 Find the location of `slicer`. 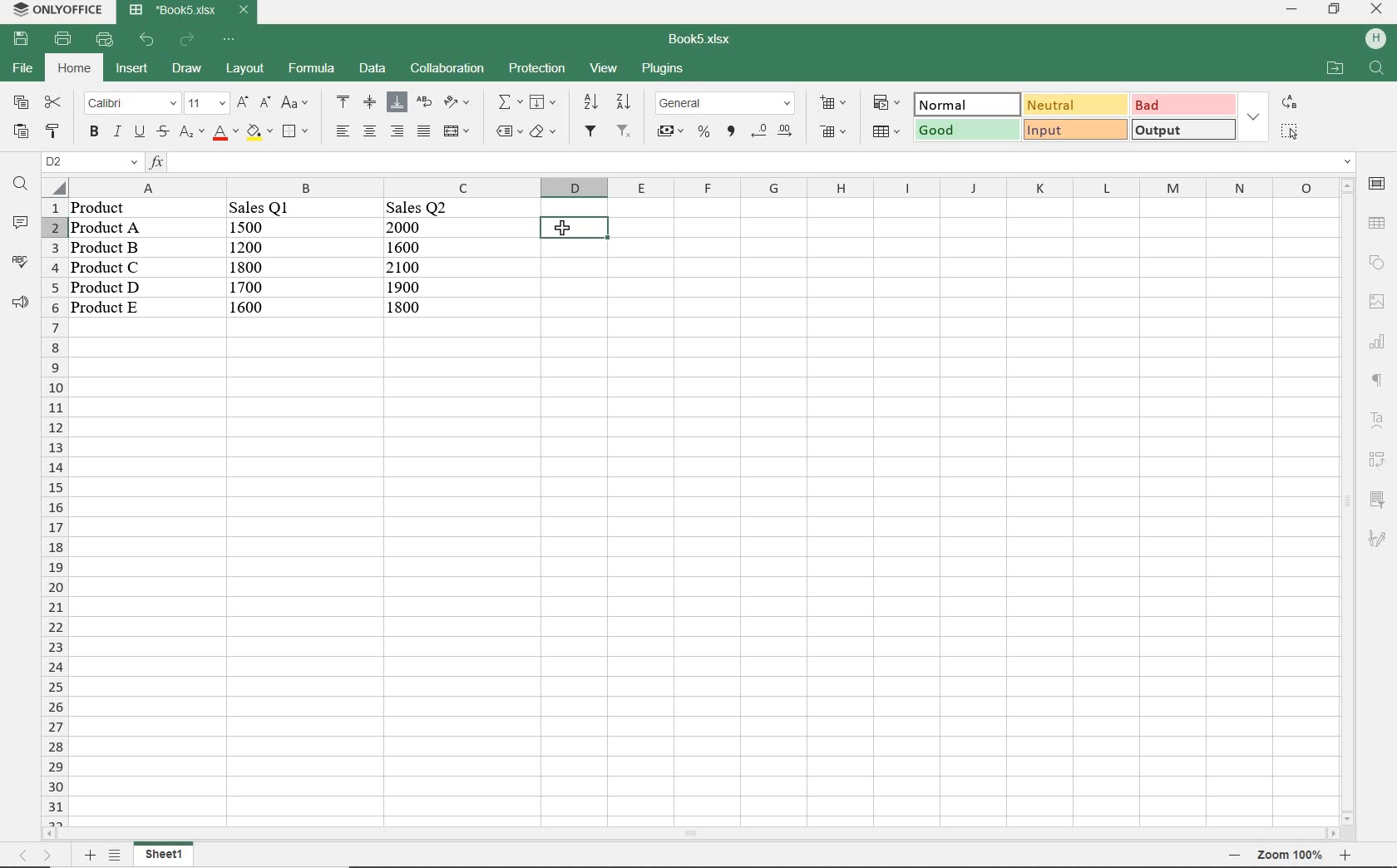

slicer is located at coordinates (1377, 499).